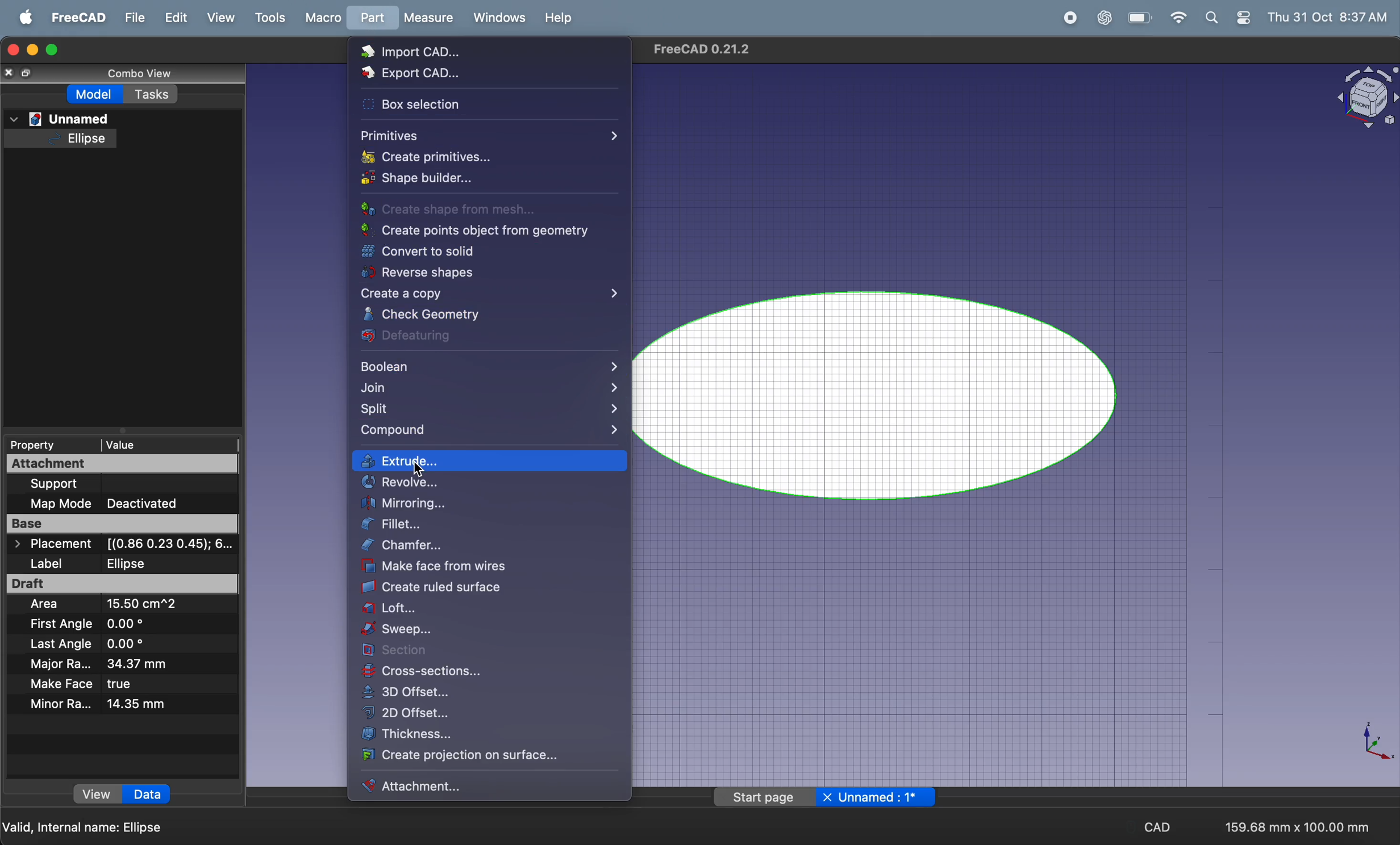 This screenshot has width=1400, height=845. Describe the element at coordinates (61, 118) in the screenshot. I see `unnamed file` at that location.